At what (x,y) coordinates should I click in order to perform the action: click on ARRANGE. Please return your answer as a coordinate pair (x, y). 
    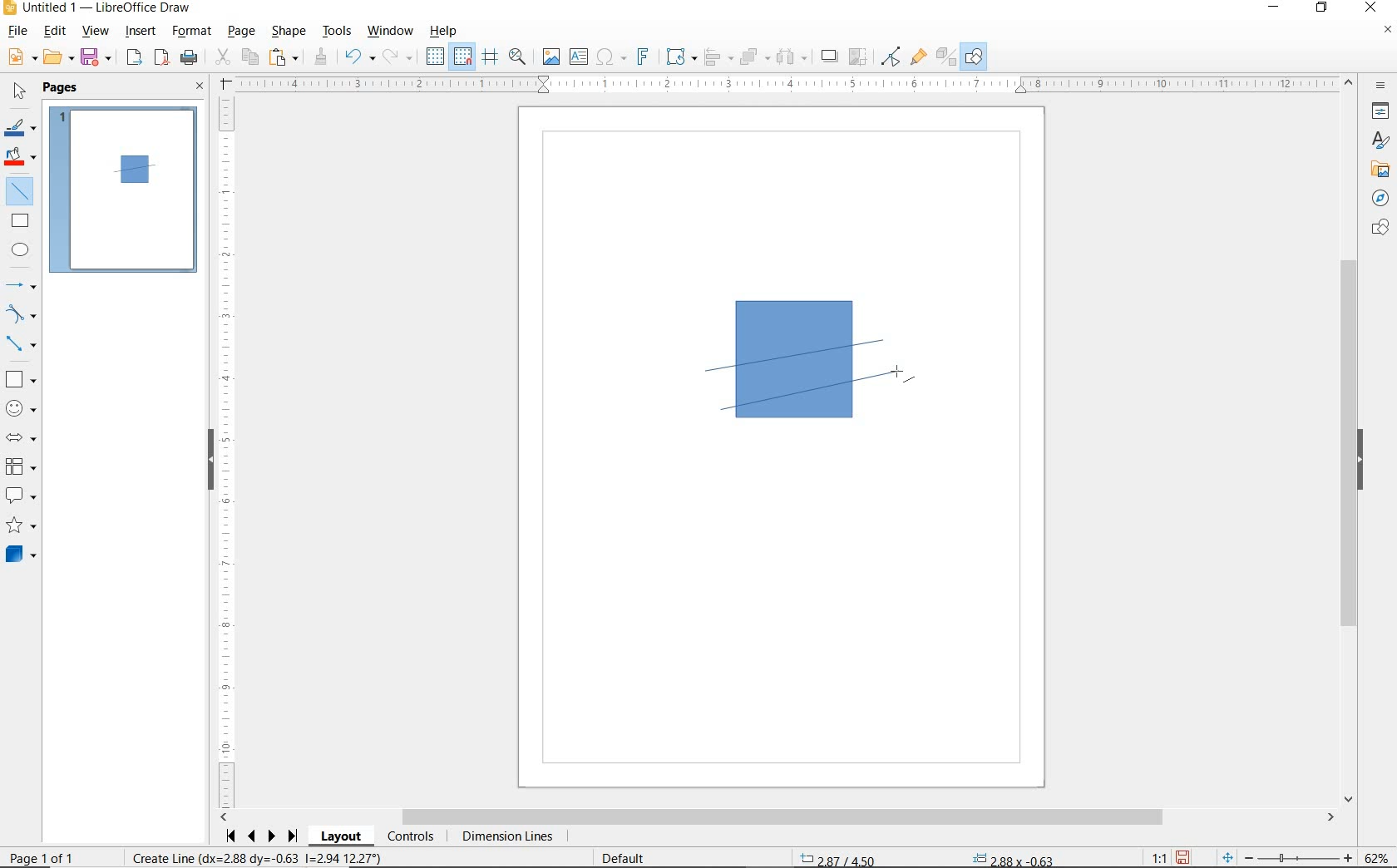
    Looking at the image, I should click on (755, 56).